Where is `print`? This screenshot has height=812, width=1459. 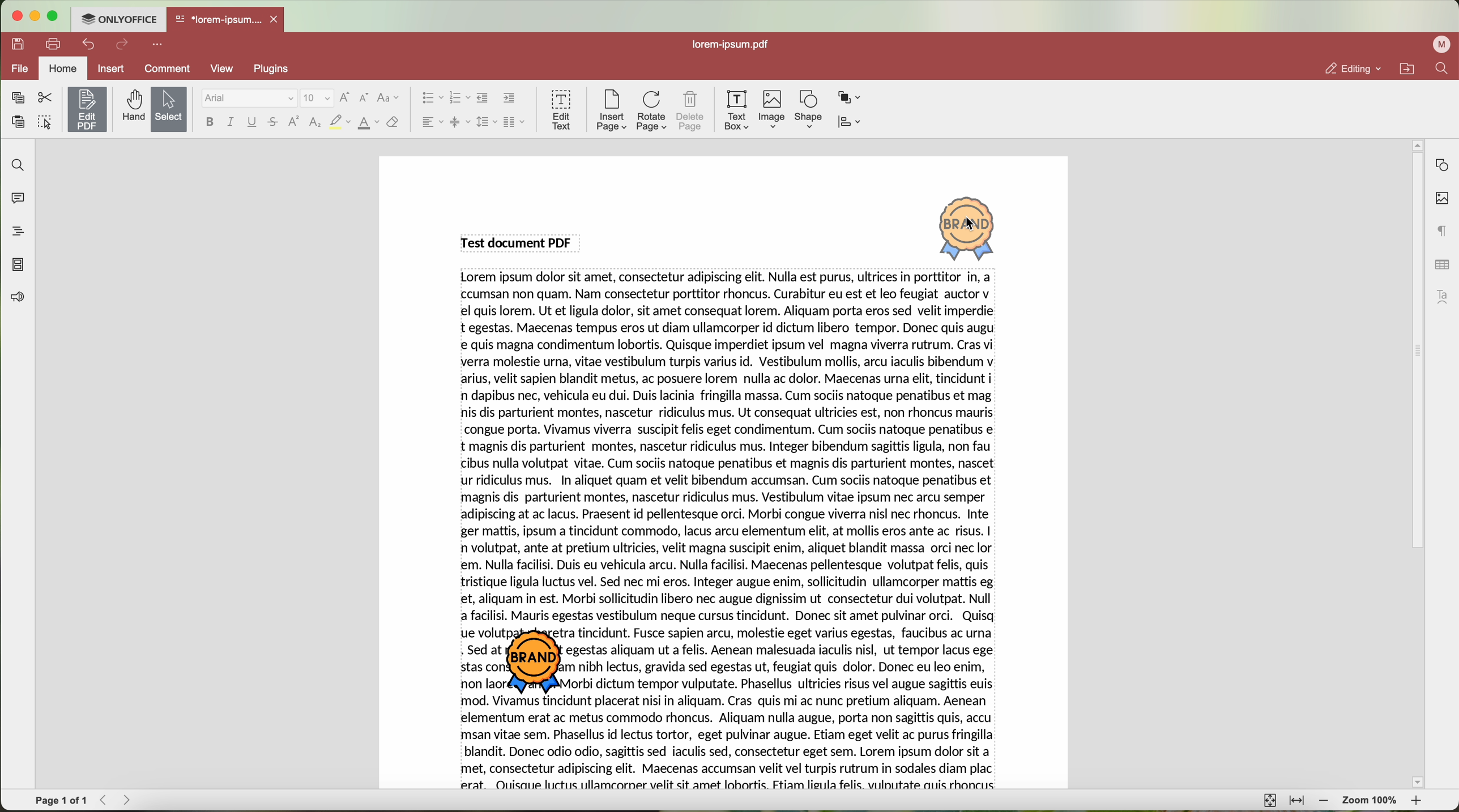 print is located at coordinates (54, 43).